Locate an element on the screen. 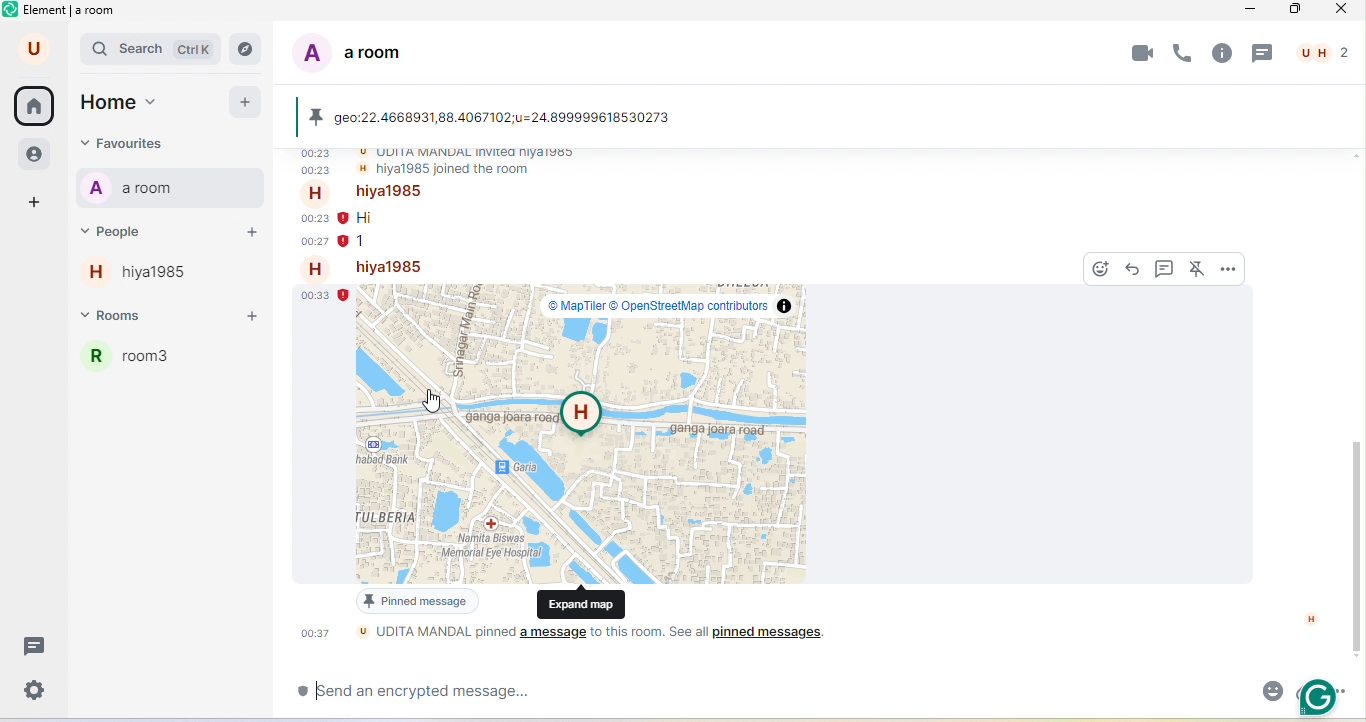 This screenshot has width=1366, height=722. h is located at coordinates (320, 270).